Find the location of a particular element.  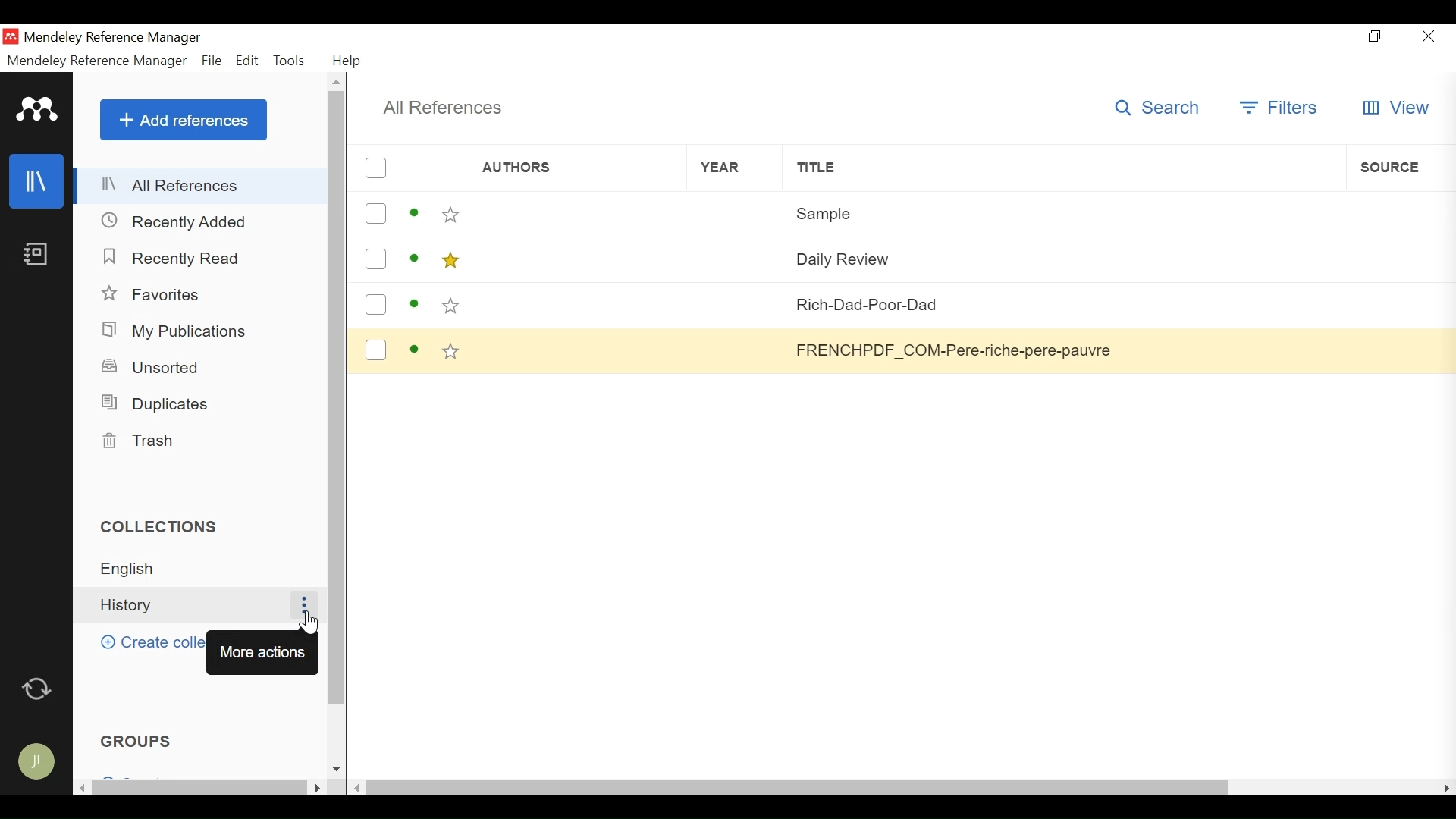

Source is located at coordinates (1396, 257).